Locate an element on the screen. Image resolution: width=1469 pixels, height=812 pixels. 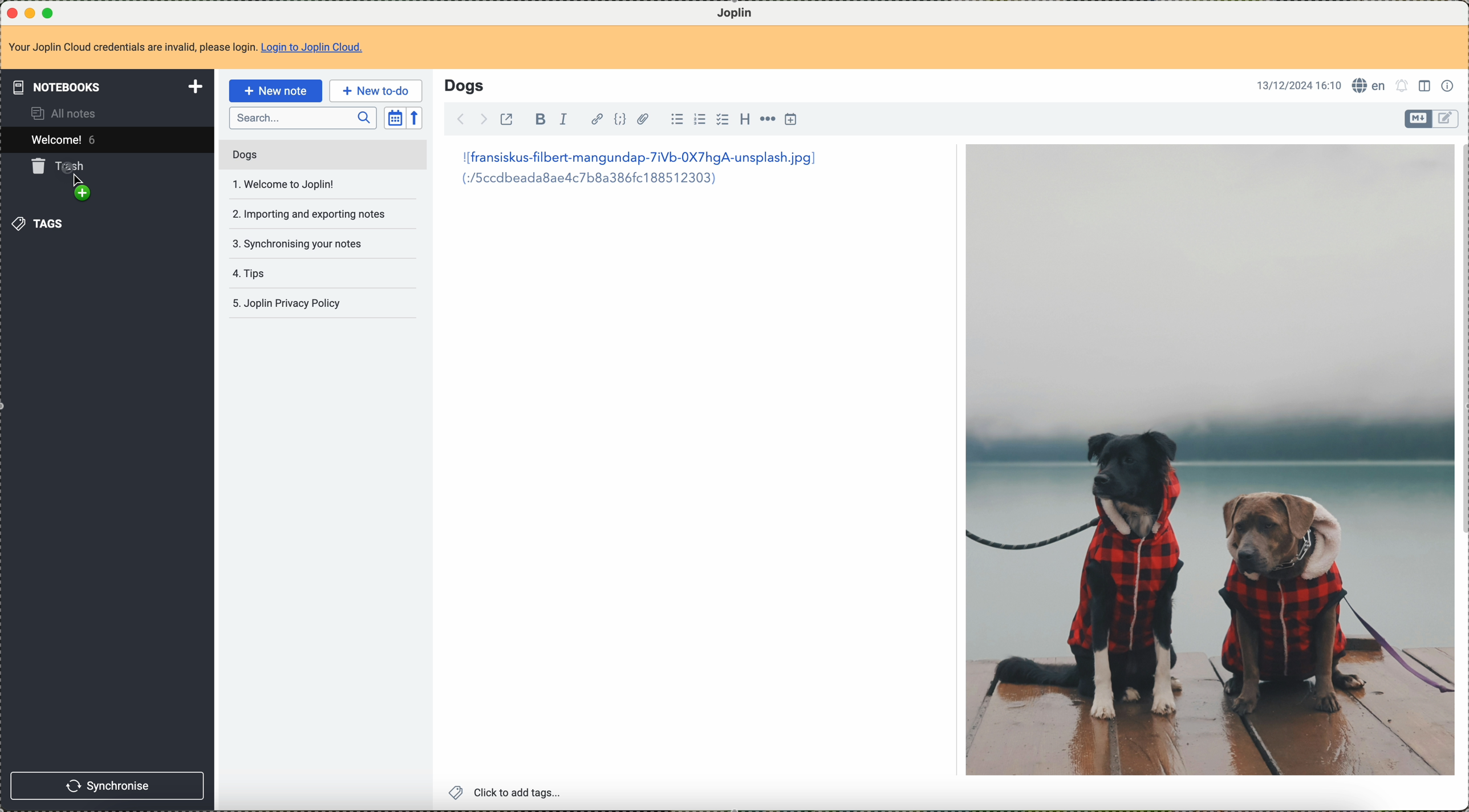
checkbox is located at coordinates (721, 119).